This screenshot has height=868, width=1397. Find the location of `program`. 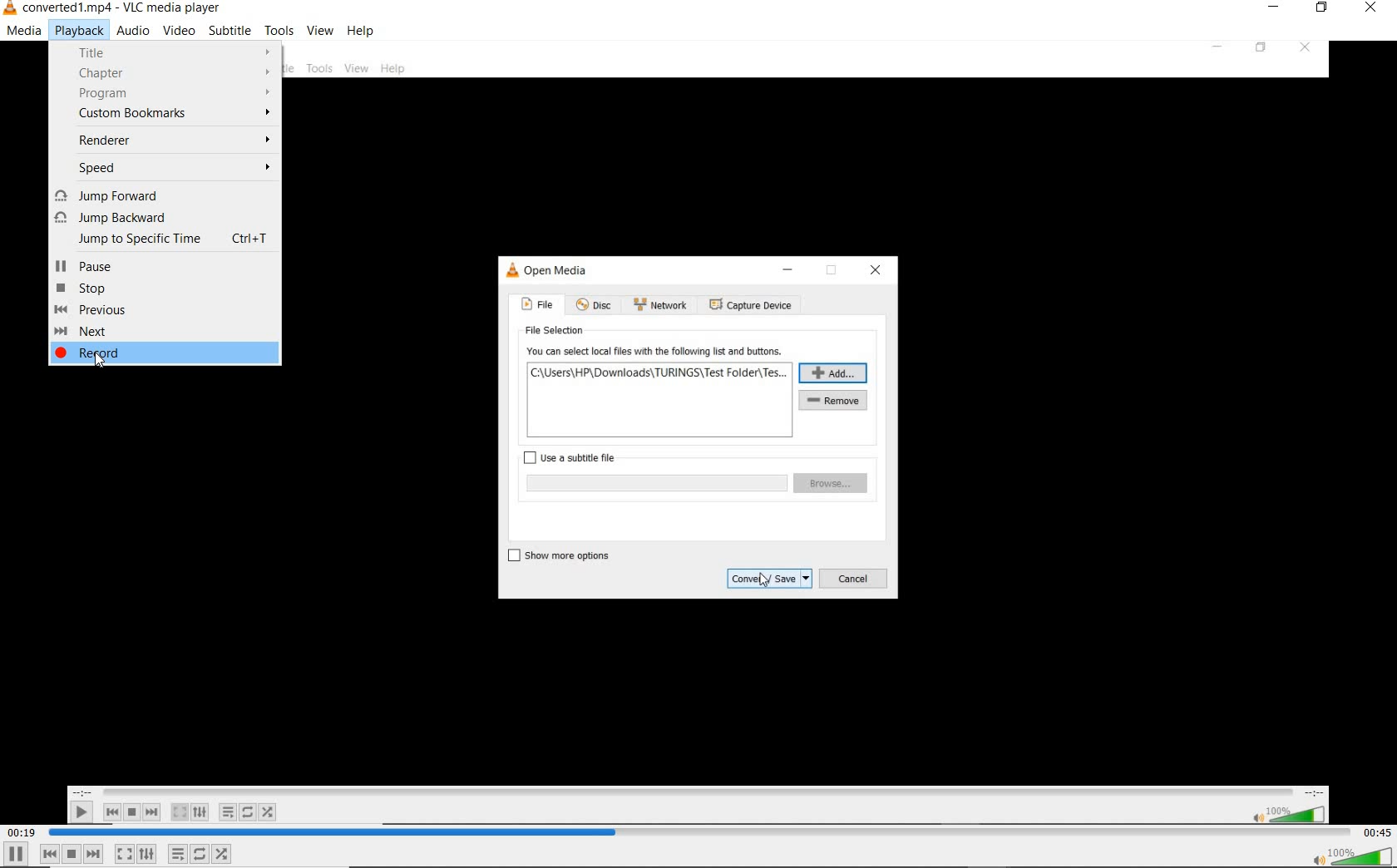

program is located at coordinates (172, 94).